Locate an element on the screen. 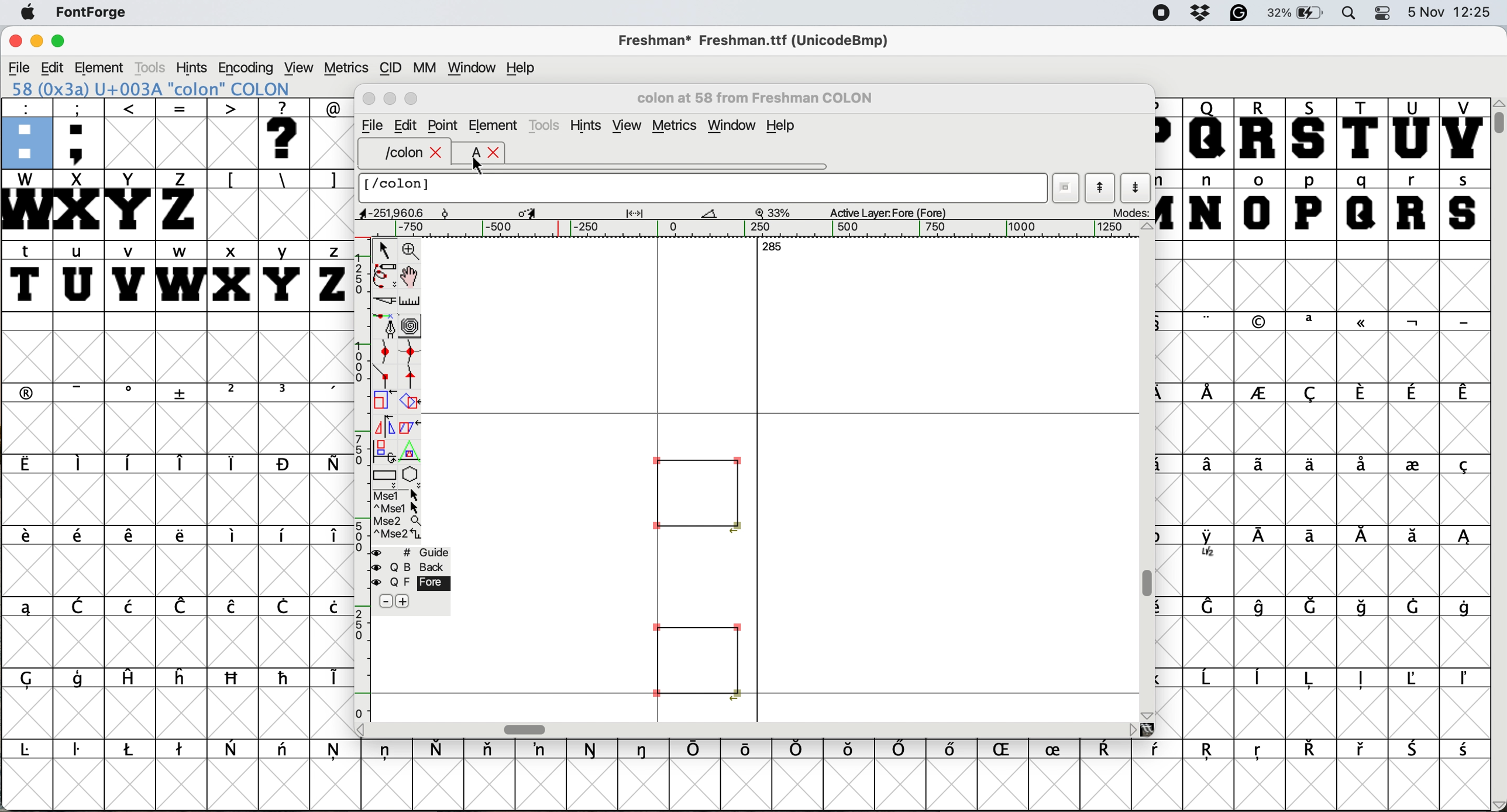  symbol is located at coordinates (1416, 749).